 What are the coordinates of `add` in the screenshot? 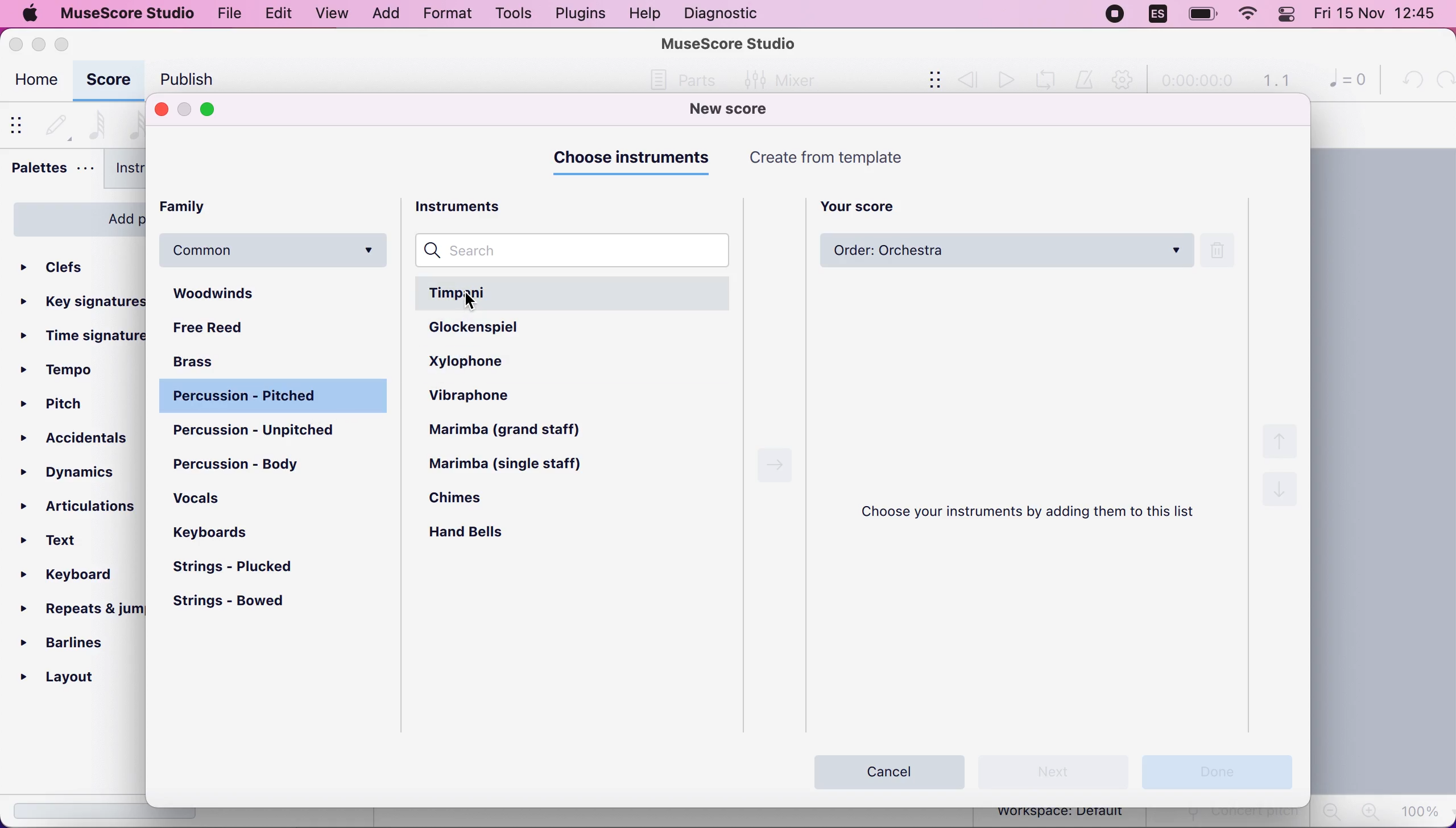 It's located at (385, 14).